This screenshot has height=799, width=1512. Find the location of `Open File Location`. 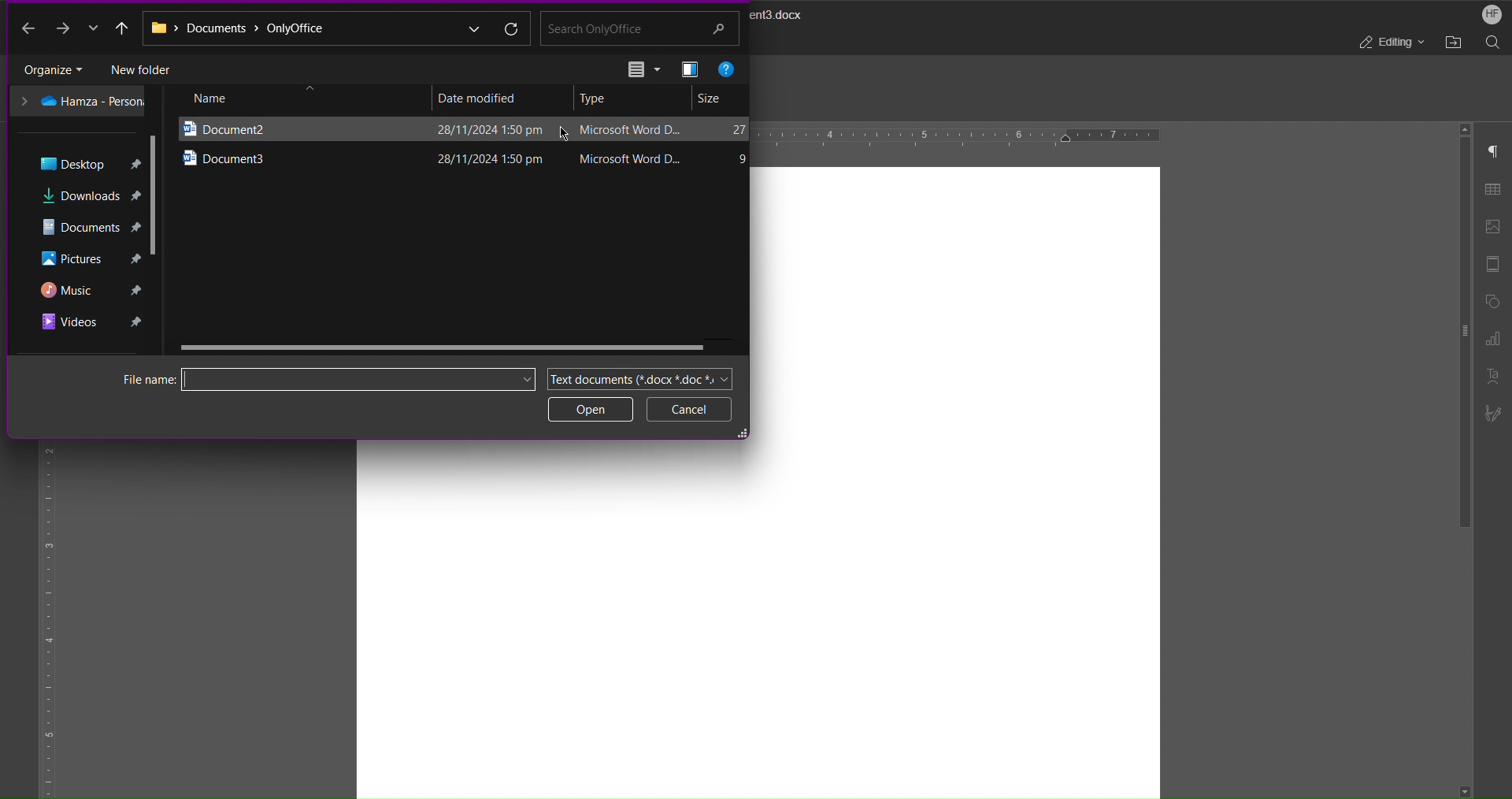

Open File Location is located at coordinates (1453, 43).